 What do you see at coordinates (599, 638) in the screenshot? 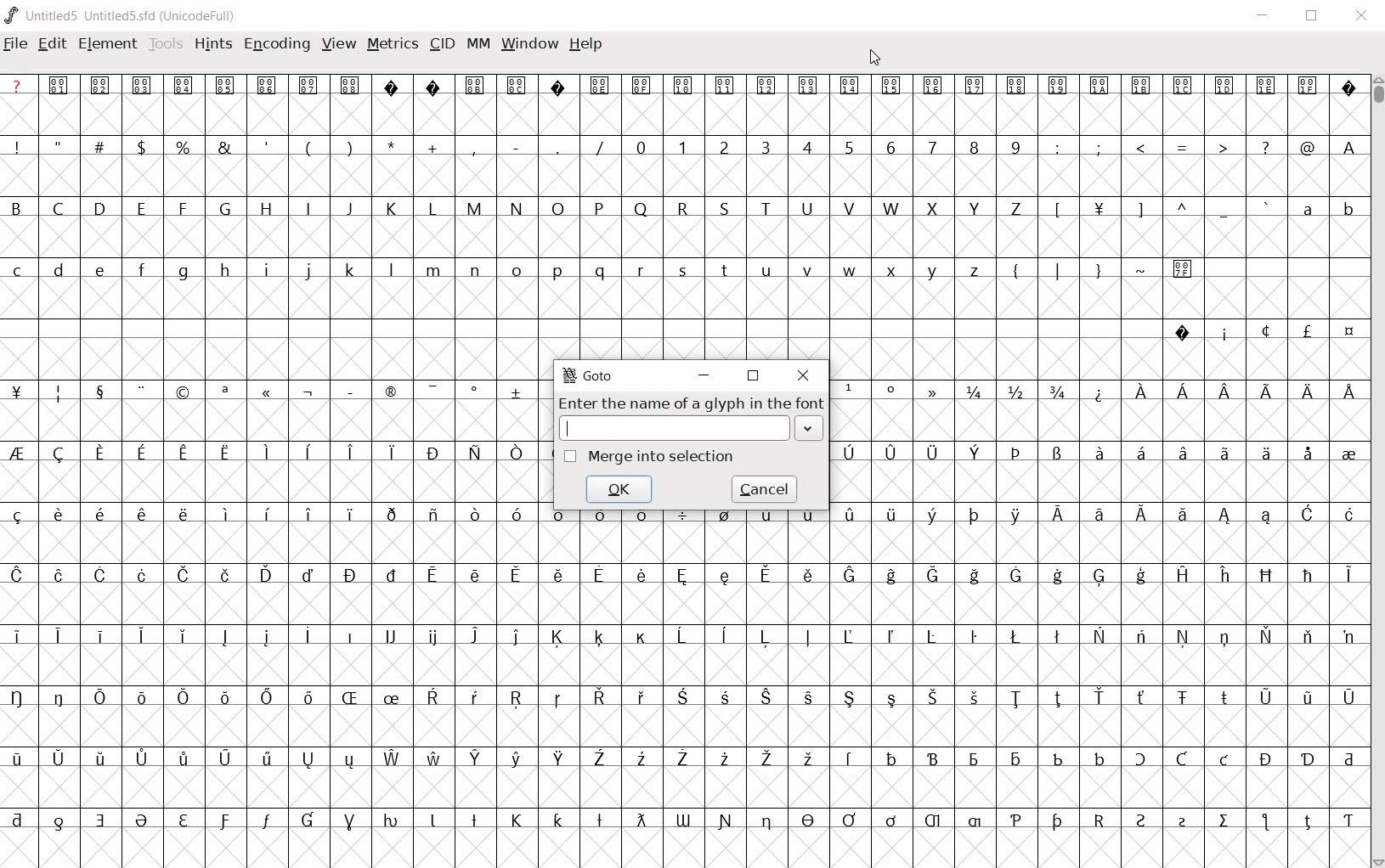
I see `Symbol` at bounding box center [599, 638].